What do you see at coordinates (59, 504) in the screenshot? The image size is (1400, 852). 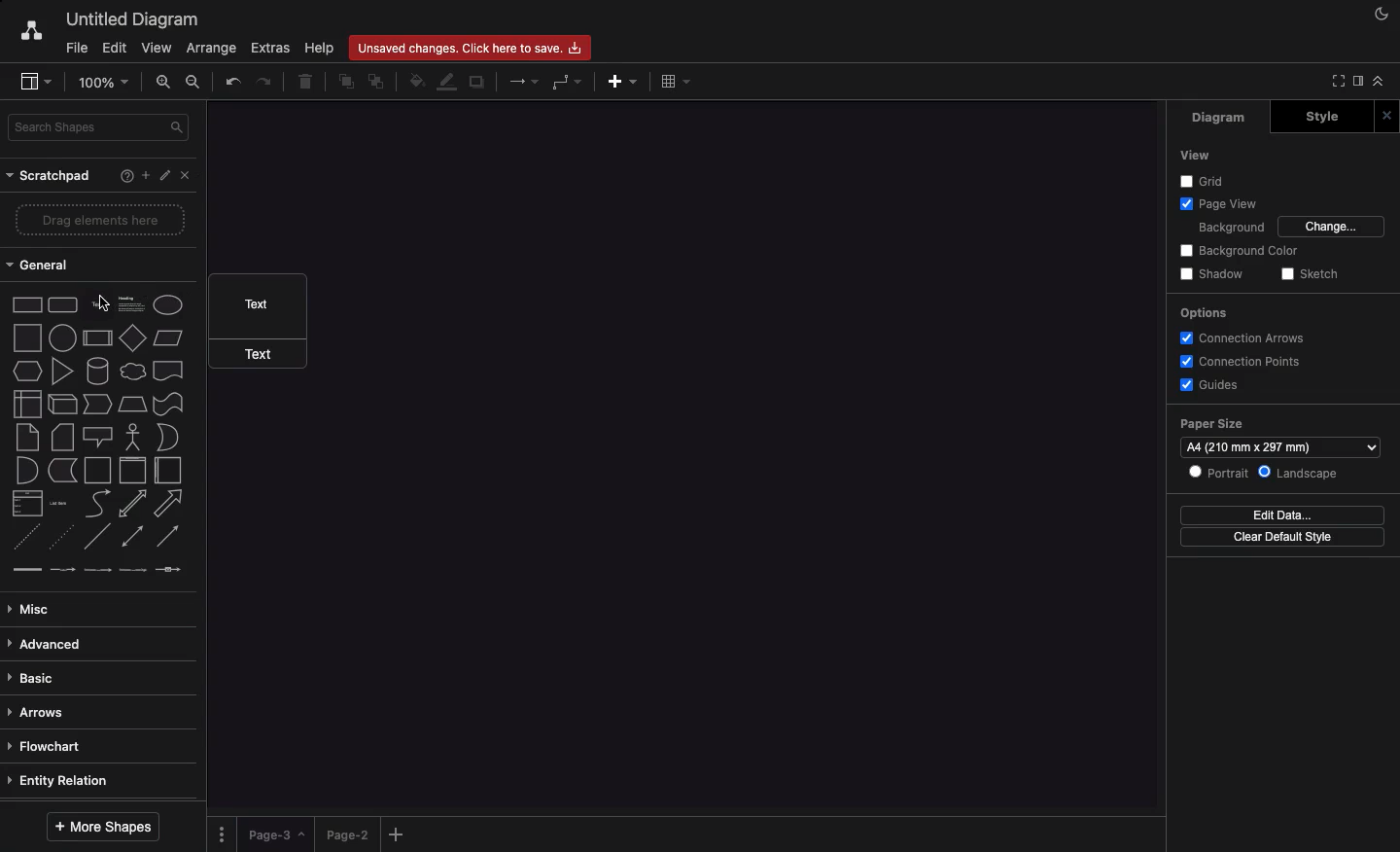 I see `list item` at bounding box center [59, 504].